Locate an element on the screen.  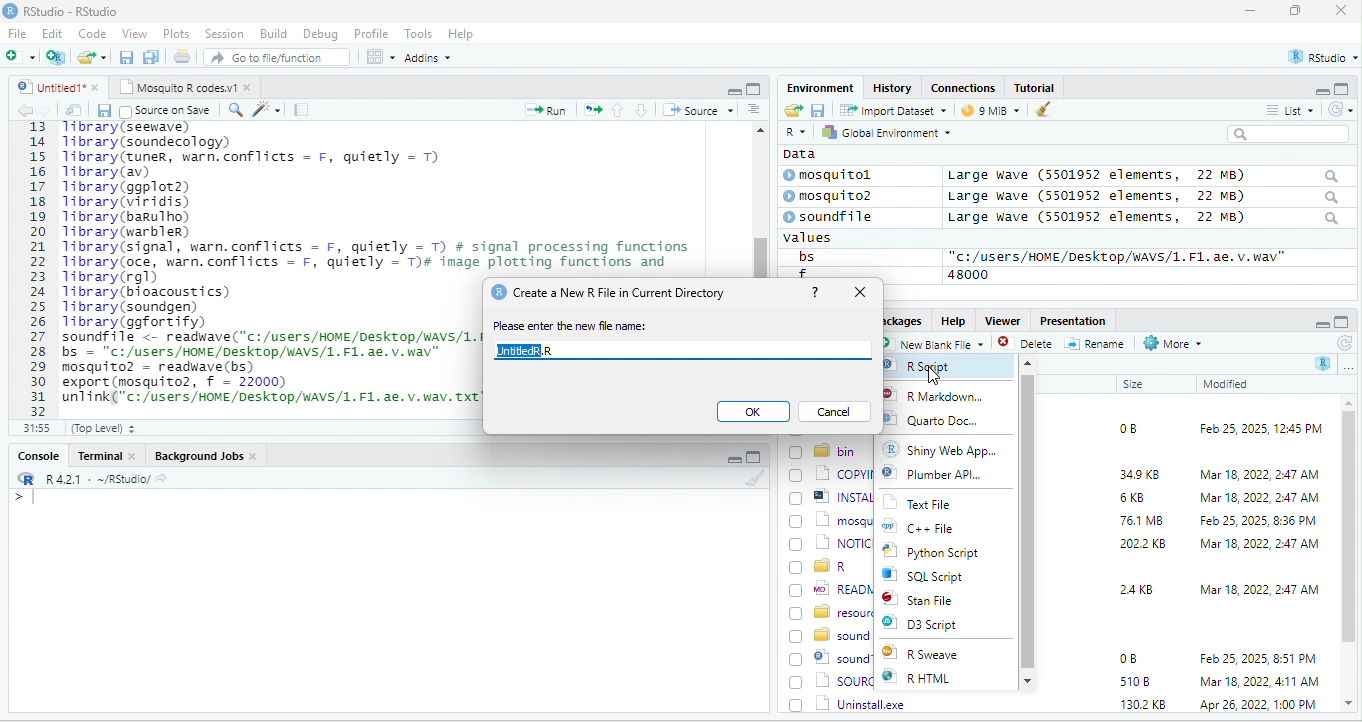
” Go to file/function is located at coordinates (278, 59).